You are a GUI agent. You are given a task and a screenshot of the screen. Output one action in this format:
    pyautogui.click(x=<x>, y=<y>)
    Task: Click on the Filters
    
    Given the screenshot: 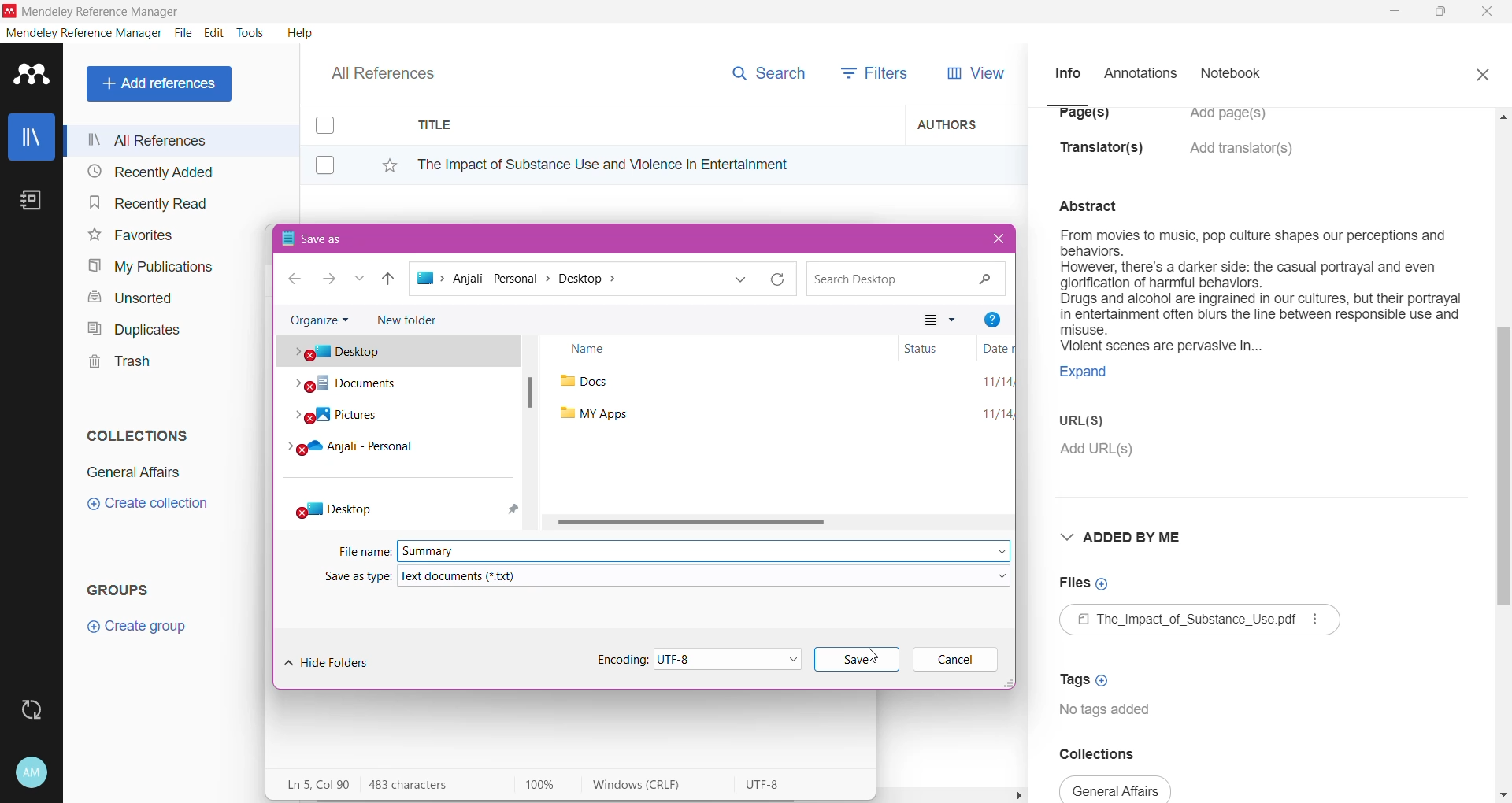 What is the action you would take?
    pyautogui.click(x=879, y=72)
    